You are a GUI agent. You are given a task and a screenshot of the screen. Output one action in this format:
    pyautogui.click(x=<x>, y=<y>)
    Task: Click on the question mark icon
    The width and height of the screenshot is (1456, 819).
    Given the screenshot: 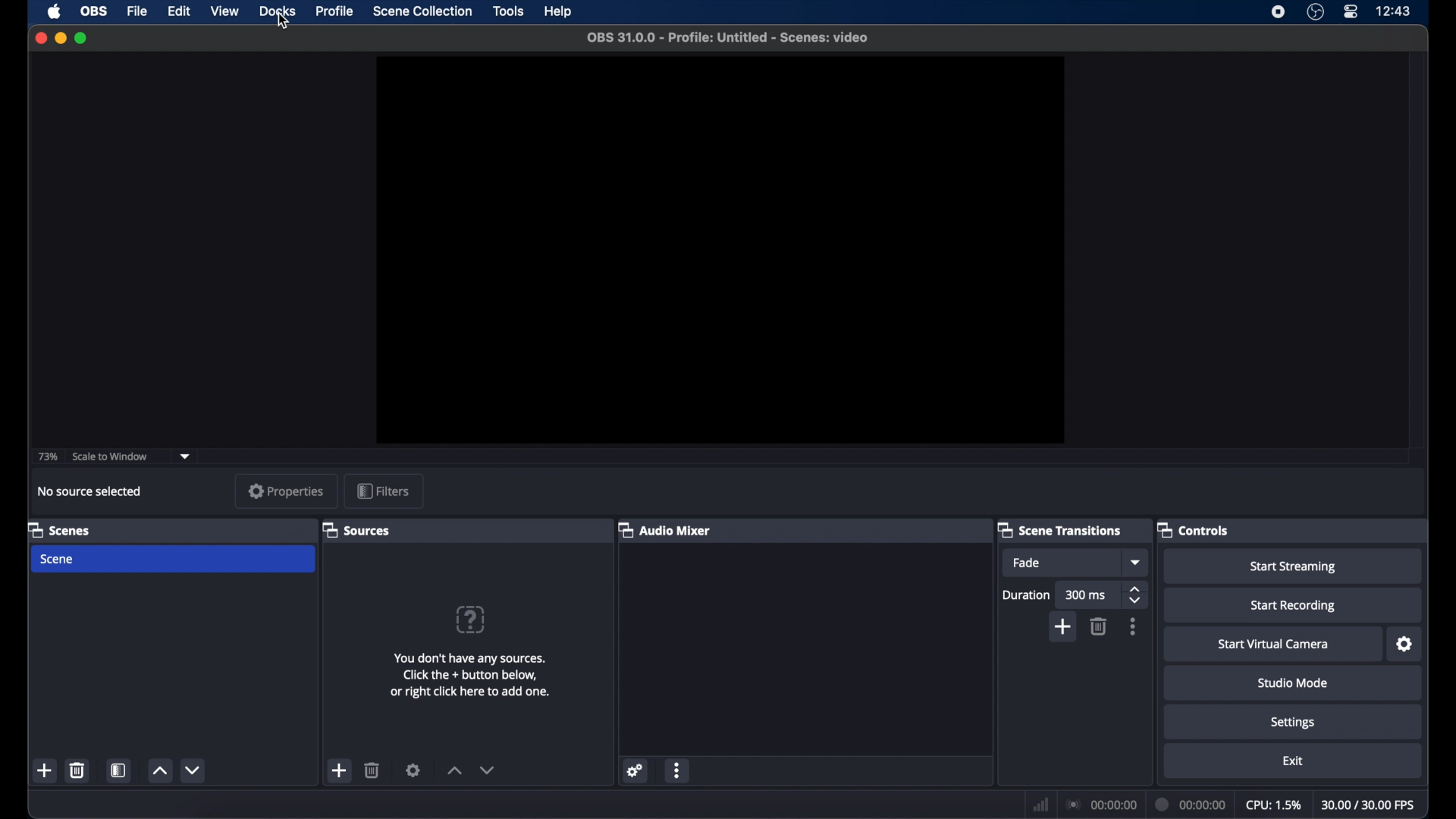 What is the action you would take?
    pyautogui.click(x=472, y=619)
    